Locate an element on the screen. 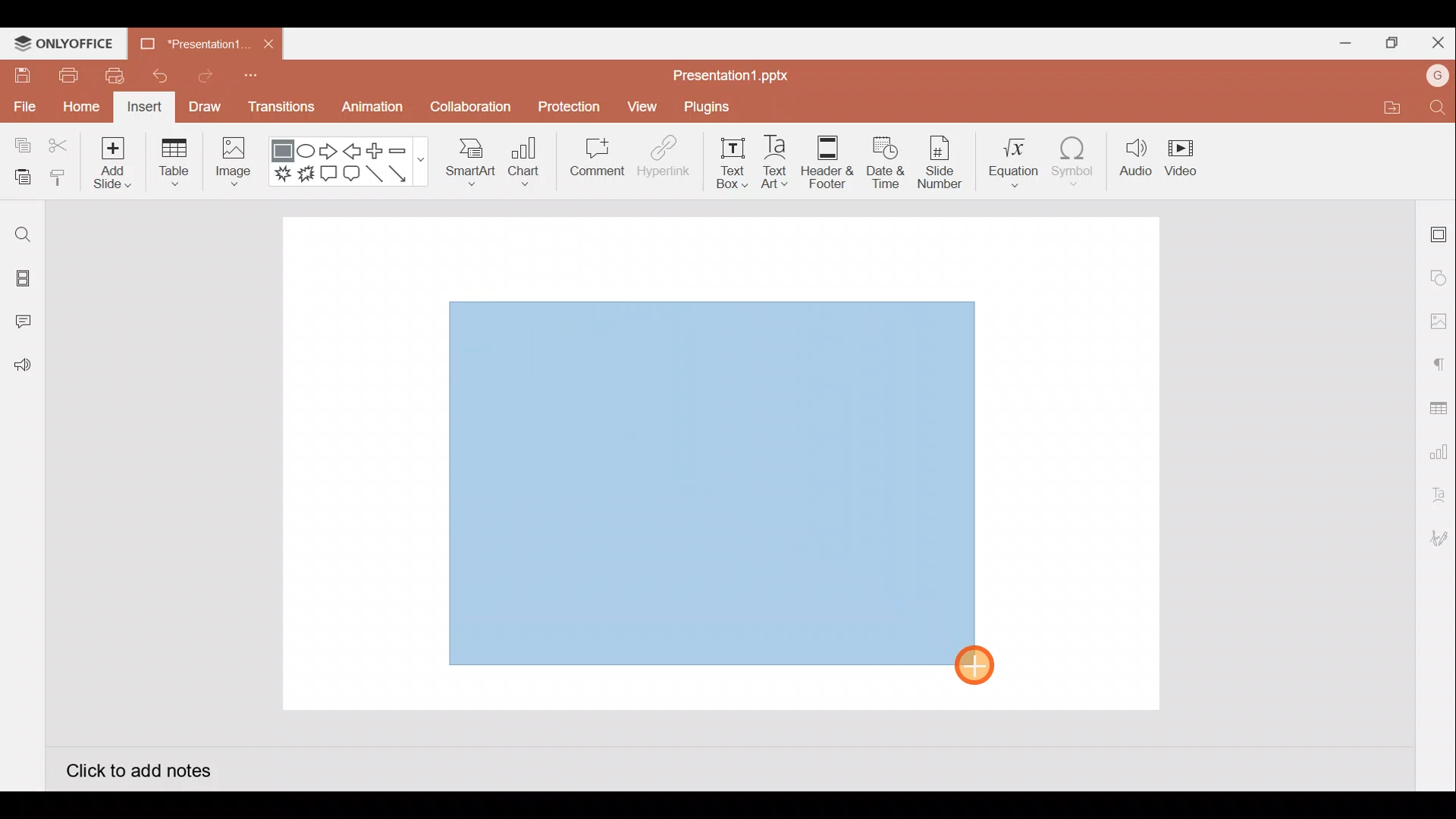  Explosion 2 is located at coordinates (306, 174).